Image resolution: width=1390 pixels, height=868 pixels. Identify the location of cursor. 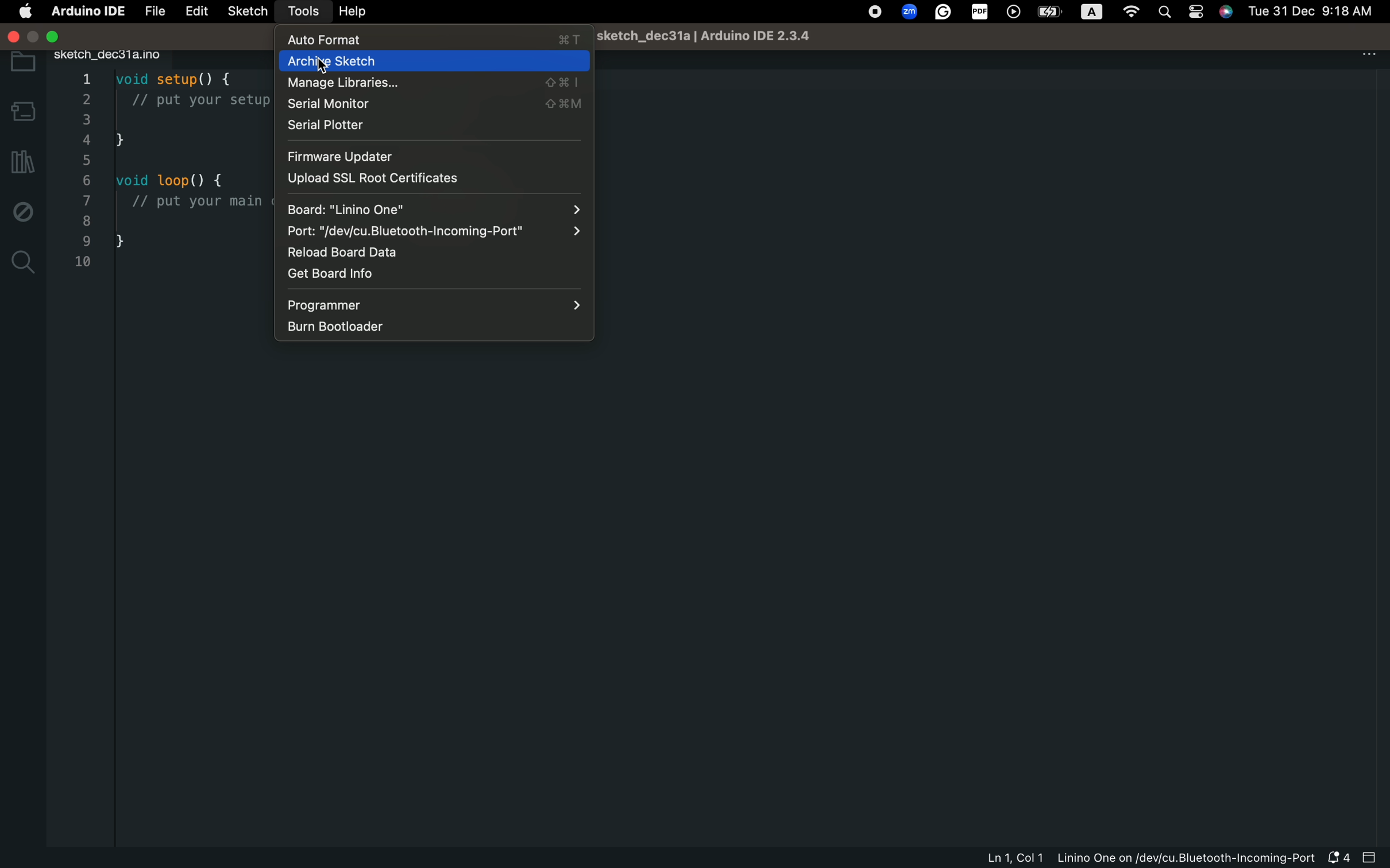
(325, 65).